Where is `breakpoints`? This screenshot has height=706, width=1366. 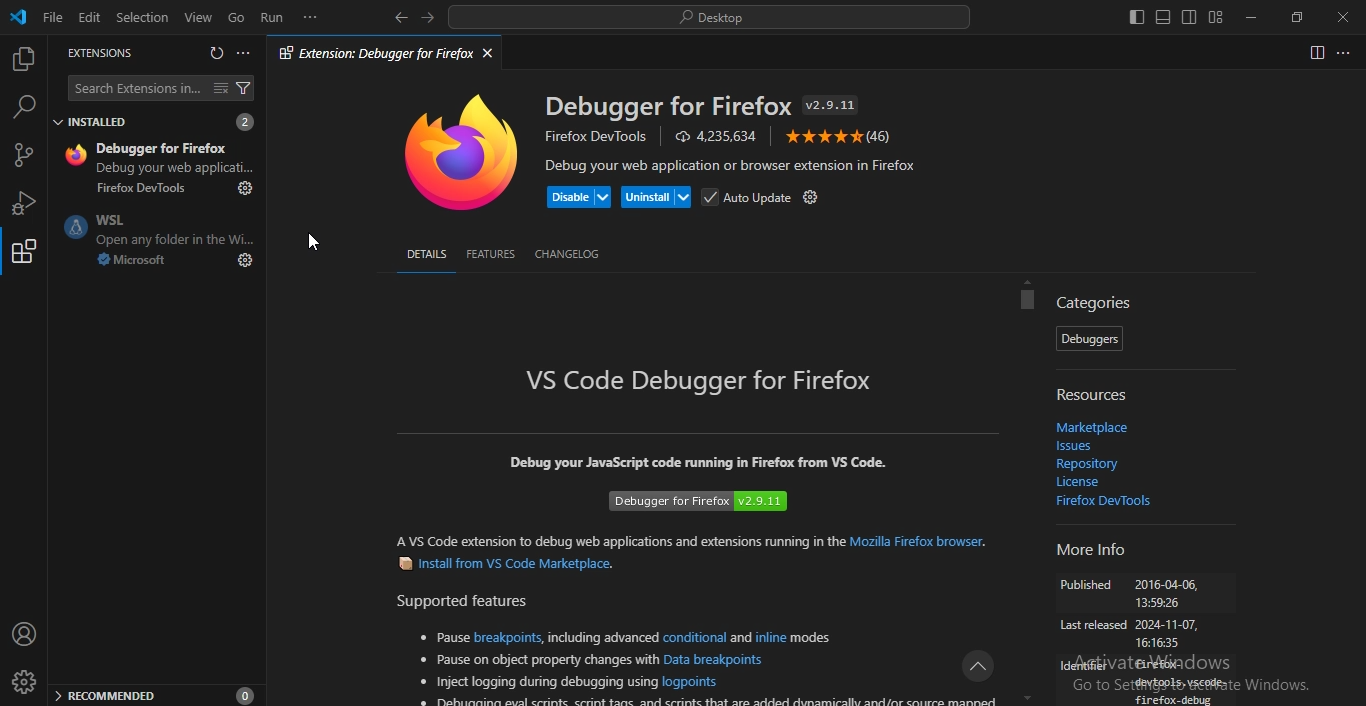 breakpoints is located at coordinates (509, 637).